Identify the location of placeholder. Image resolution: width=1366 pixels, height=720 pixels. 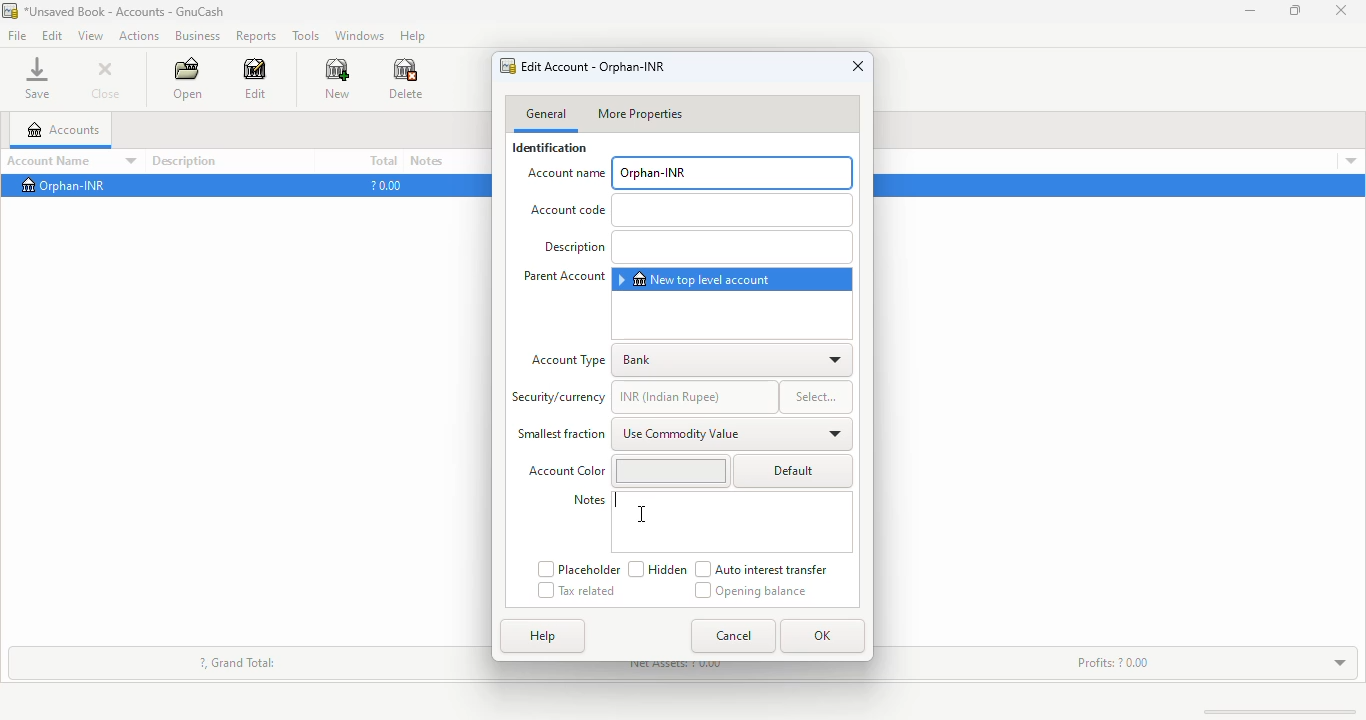
(577, 568).